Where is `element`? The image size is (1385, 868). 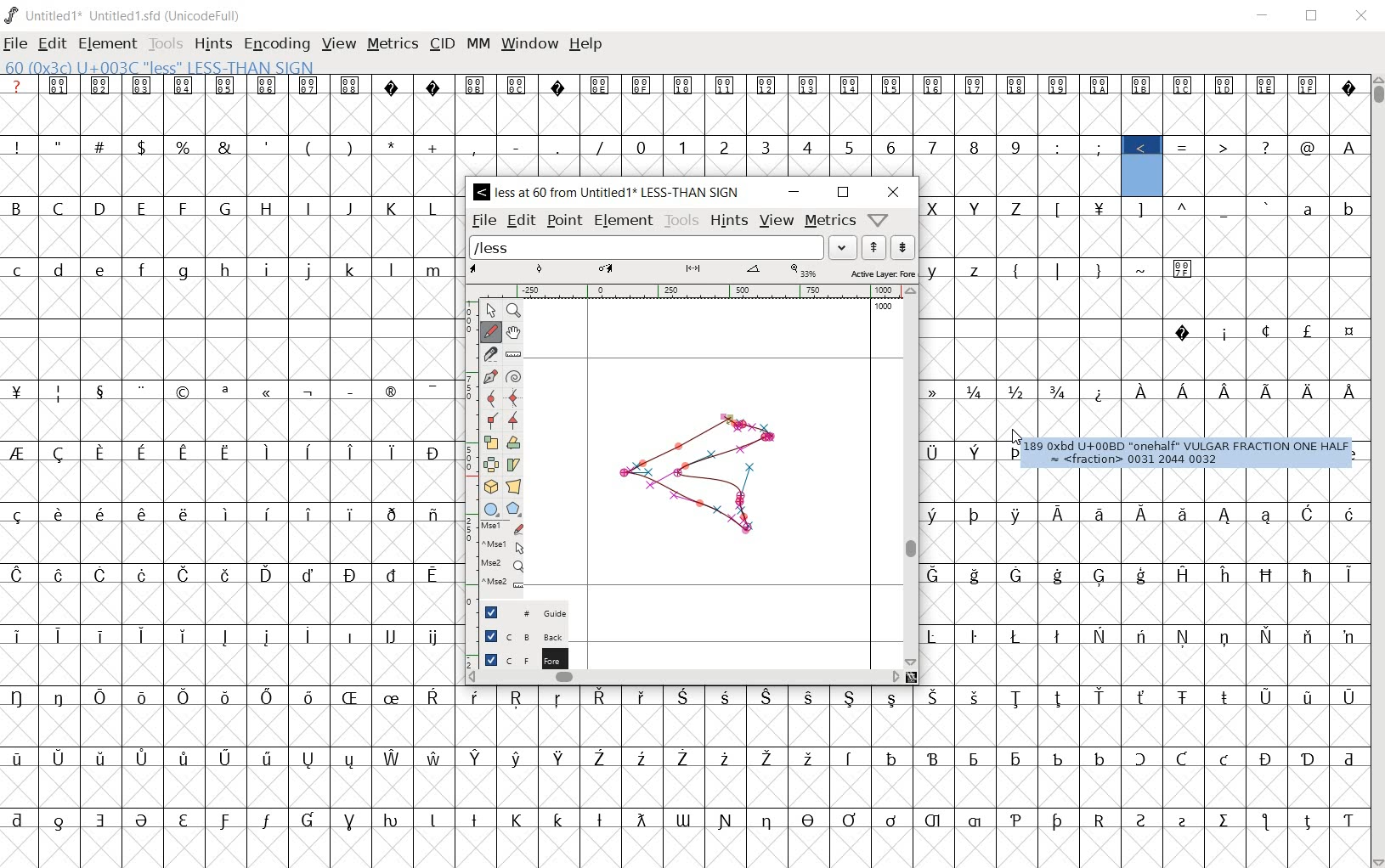 element is located at coordinates (108, 43).